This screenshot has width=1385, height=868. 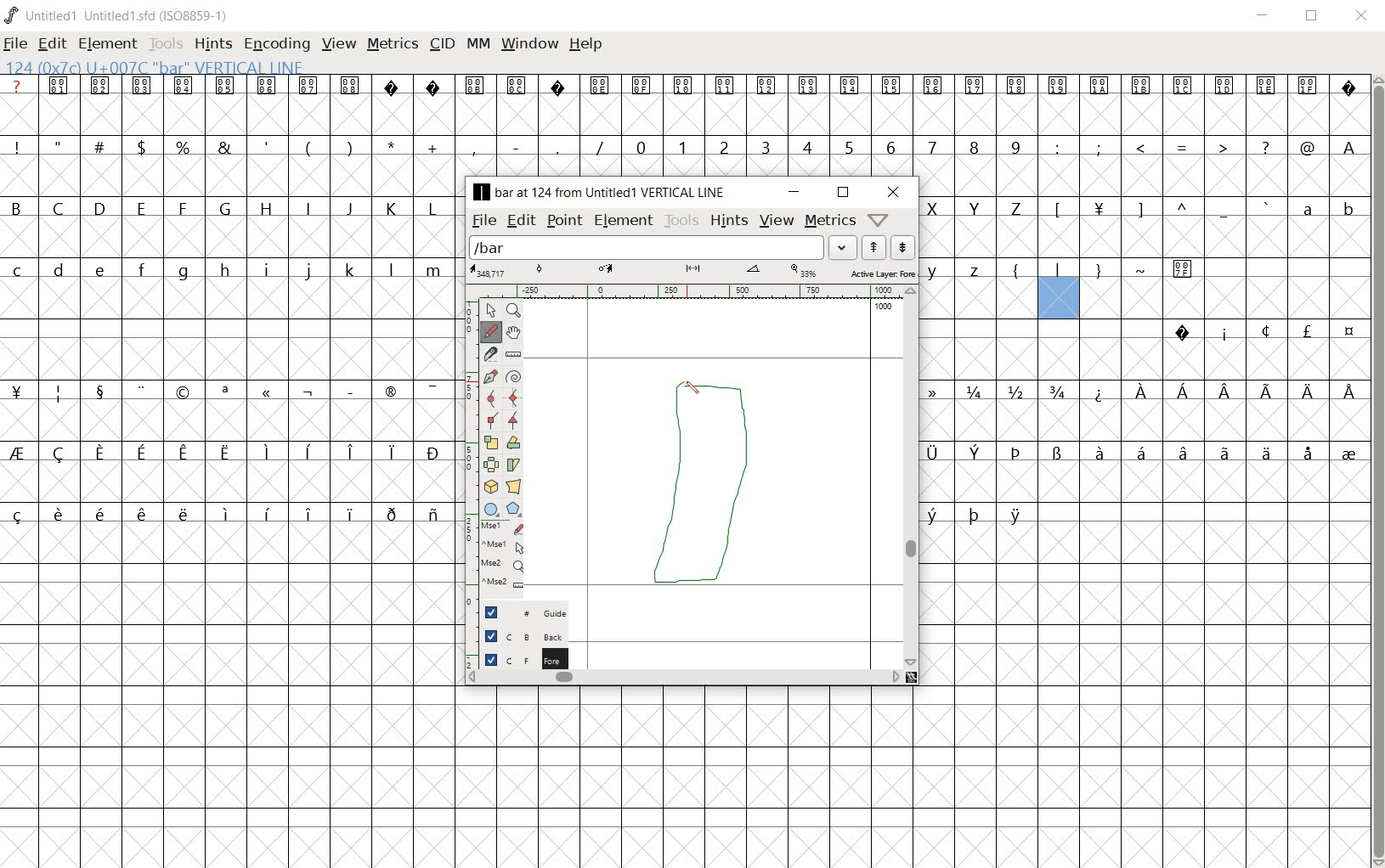 I want to click on numbers and special letters, so click(x=1143, y=392).